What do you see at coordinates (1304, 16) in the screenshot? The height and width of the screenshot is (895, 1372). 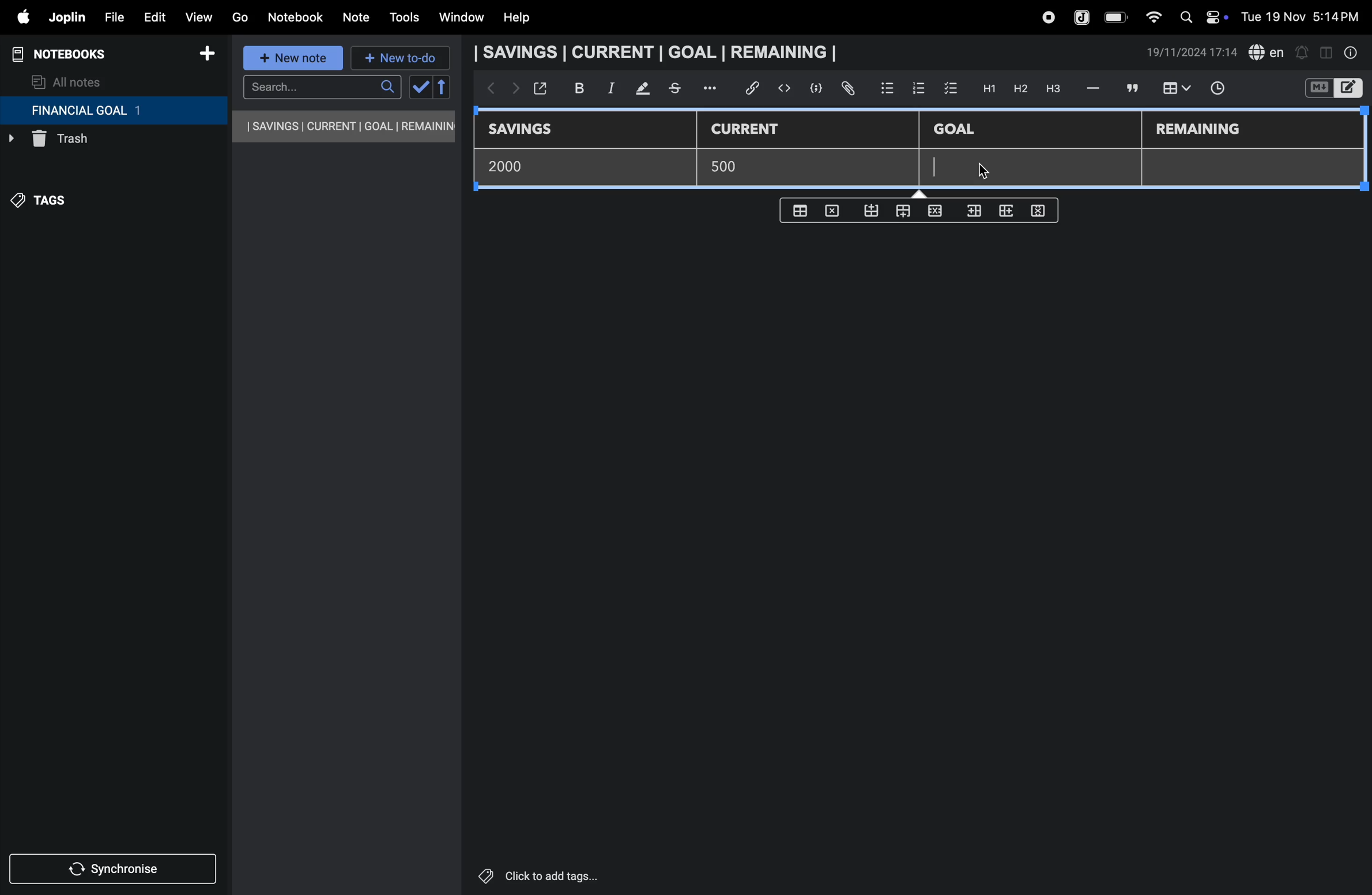 I see `date and time` at bounding box center [1304, 16].